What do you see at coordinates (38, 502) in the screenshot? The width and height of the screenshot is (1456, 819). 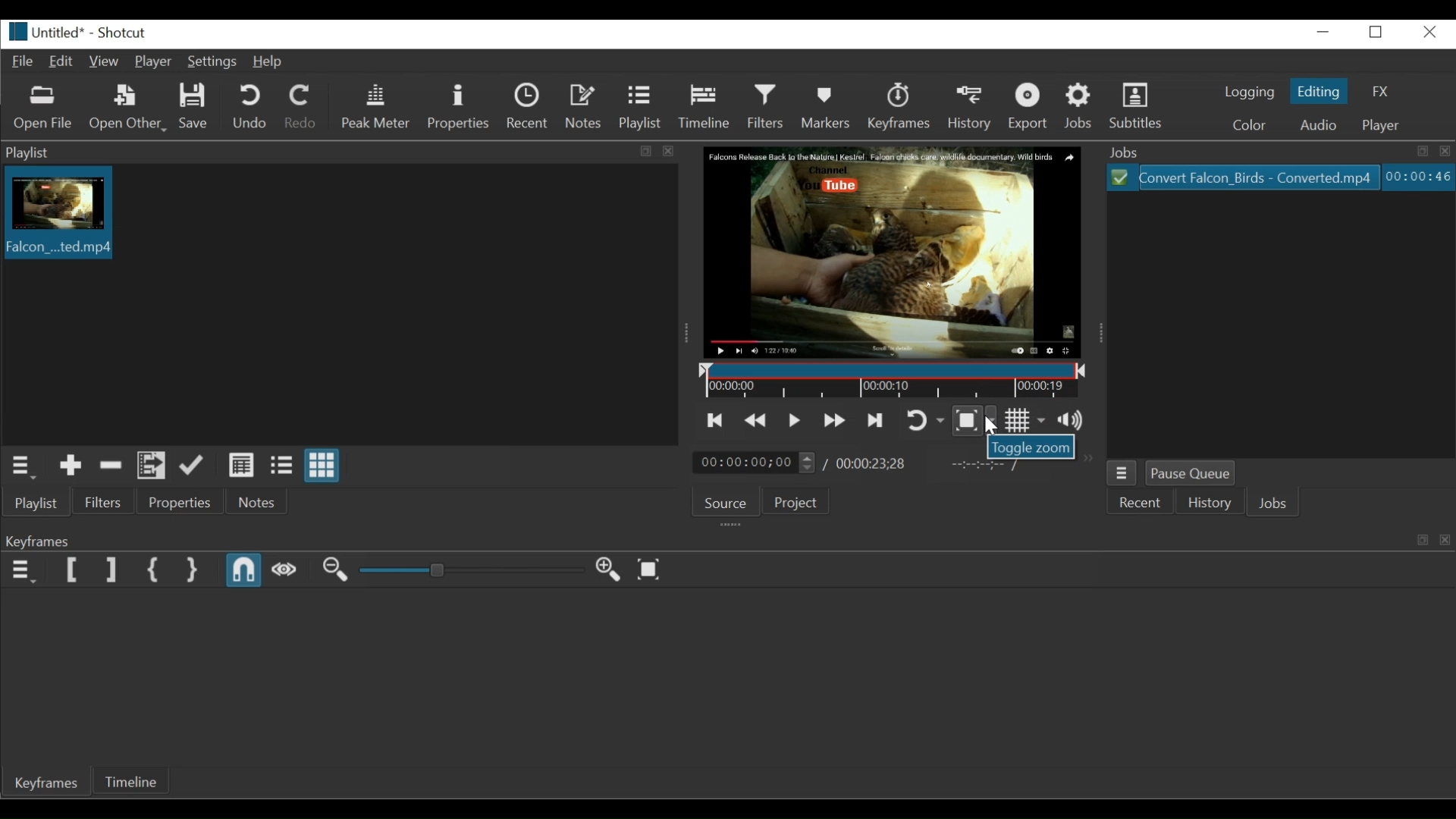 I see `Playlist` at bounding box center [38, 502].